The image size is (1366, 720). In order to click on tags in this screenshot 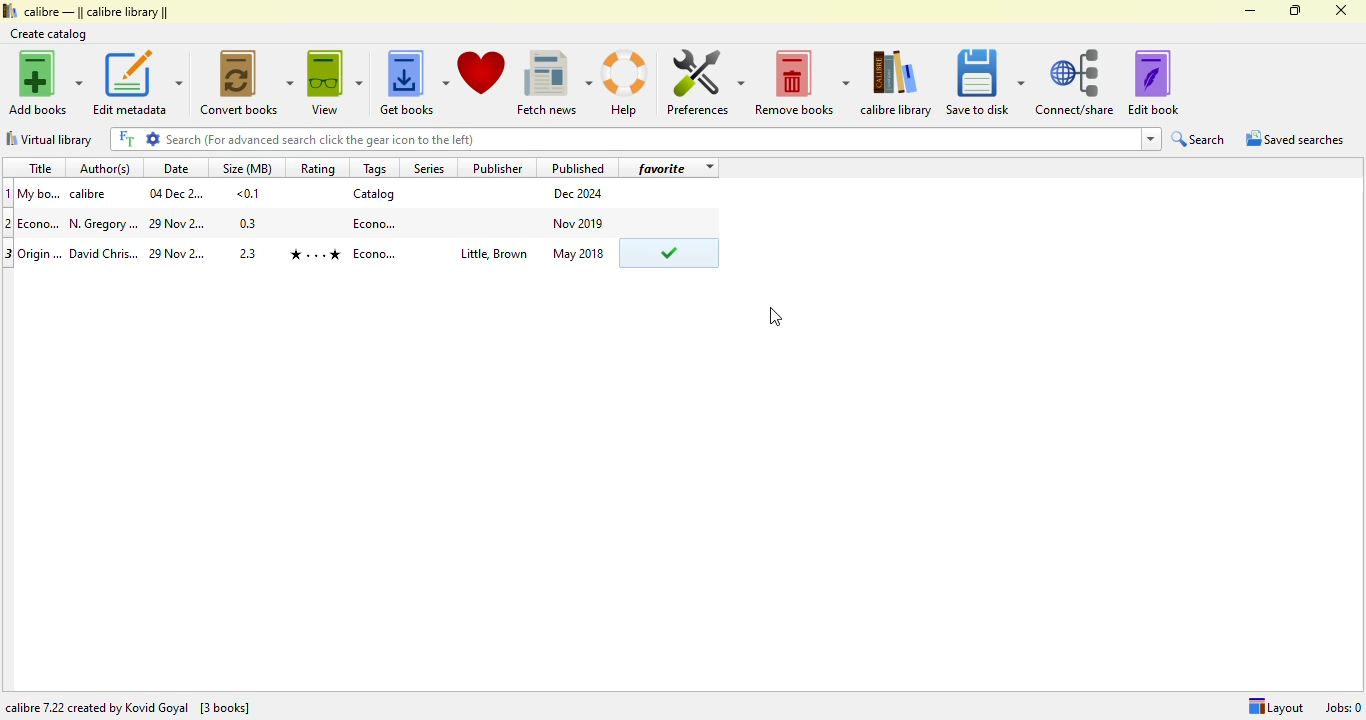, I will do `click(375, 168)`.